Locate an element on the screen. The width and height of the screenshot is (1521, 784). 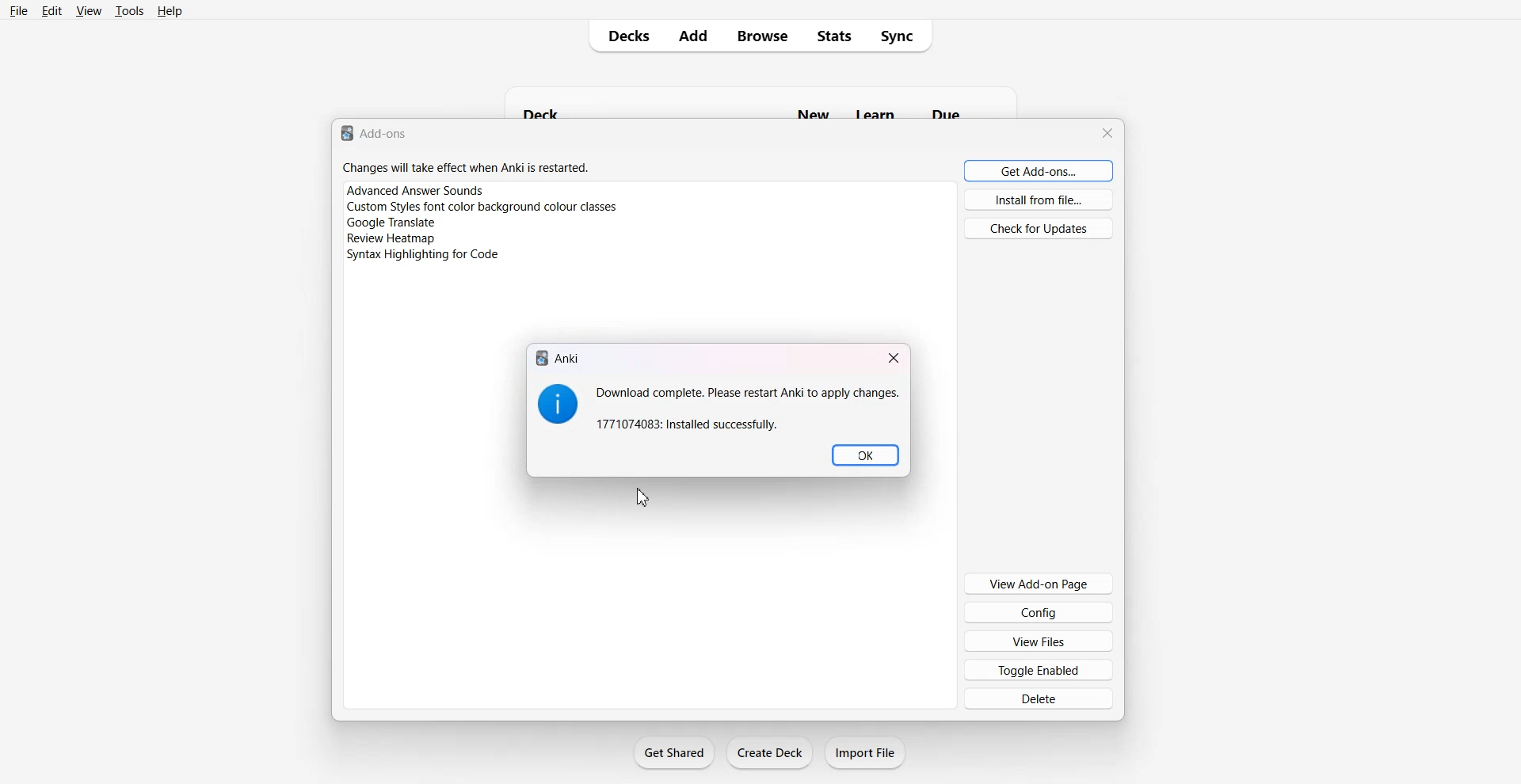
Edit is located at coordinates (51, 11).